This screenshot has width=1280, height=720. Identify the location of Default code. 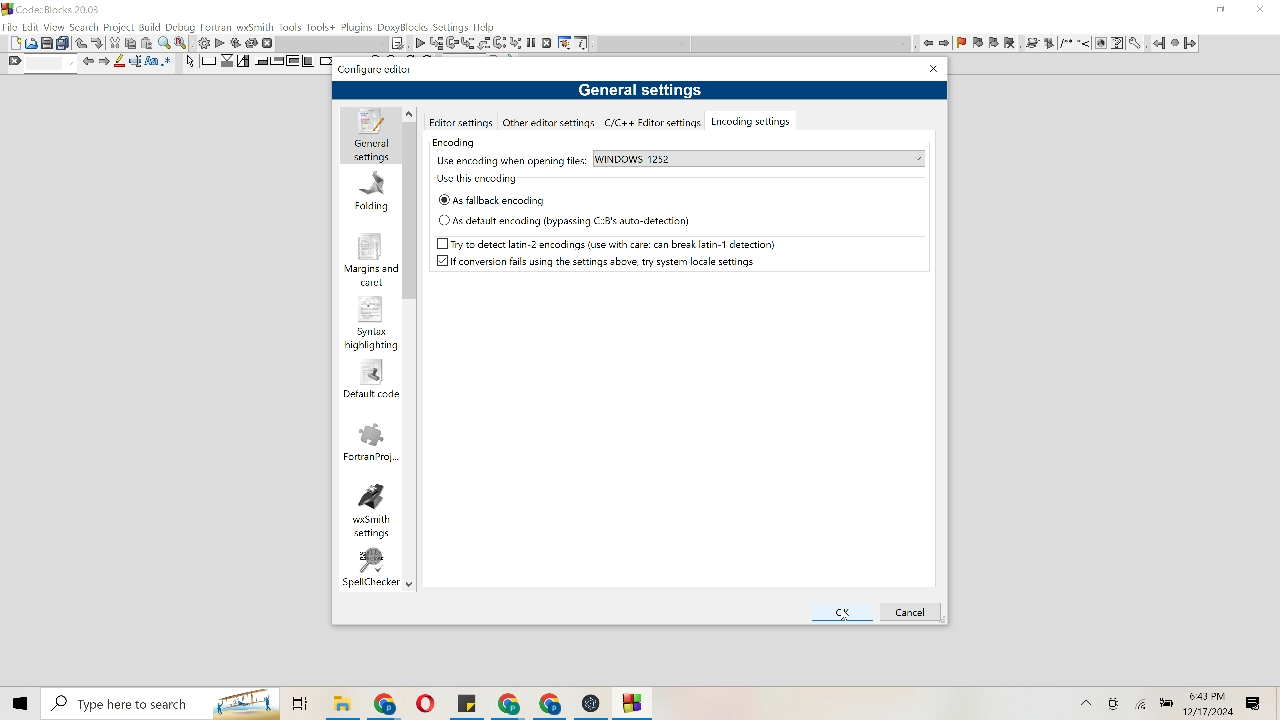
(370, 377).